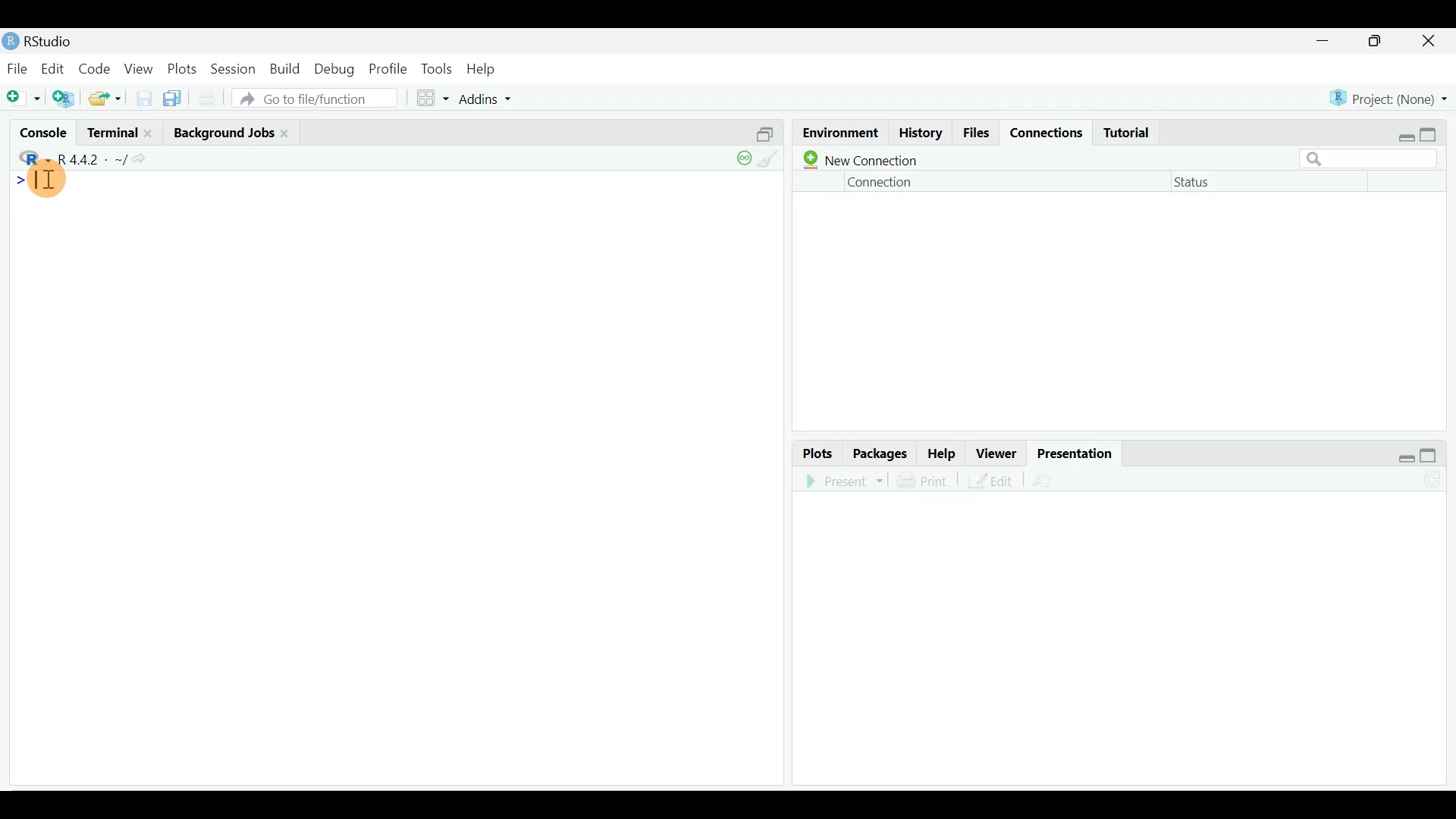  What do you see at coordinates (815, 452) in the screenshot?
I see `Plots` at bounding box center [815, 452].